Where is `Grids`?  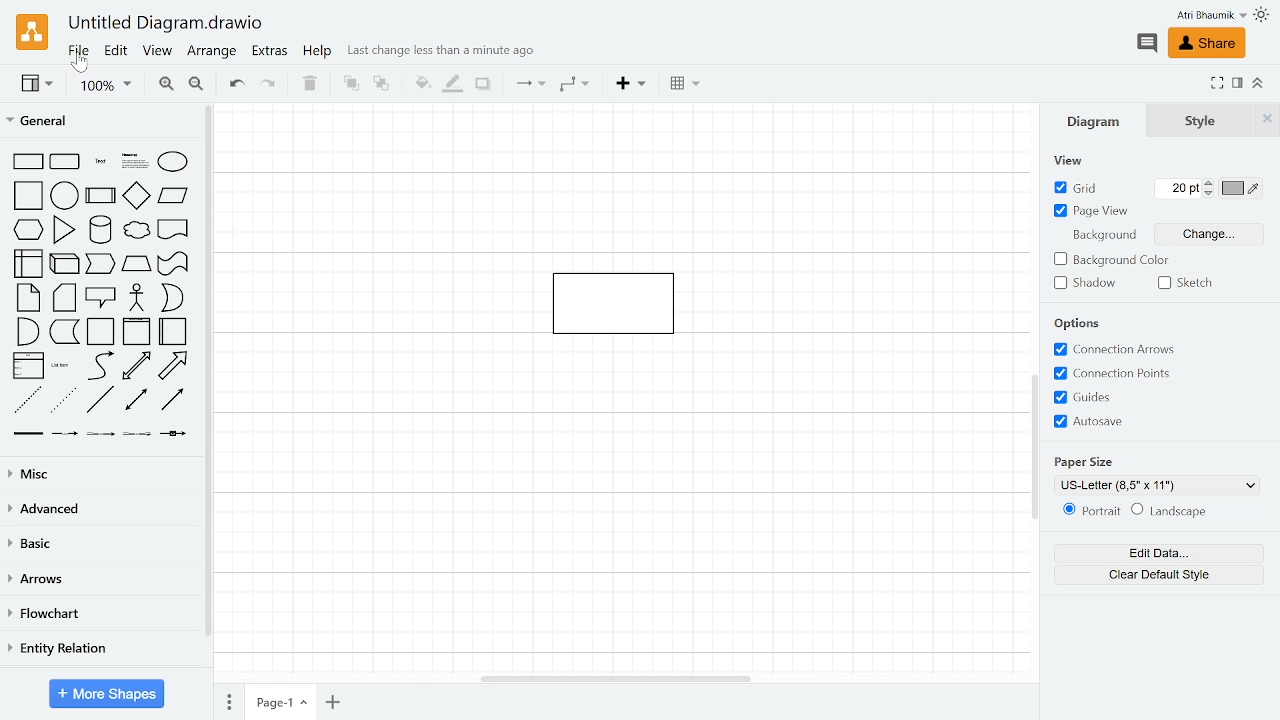 Grids is located at coordinates (1128, 398).